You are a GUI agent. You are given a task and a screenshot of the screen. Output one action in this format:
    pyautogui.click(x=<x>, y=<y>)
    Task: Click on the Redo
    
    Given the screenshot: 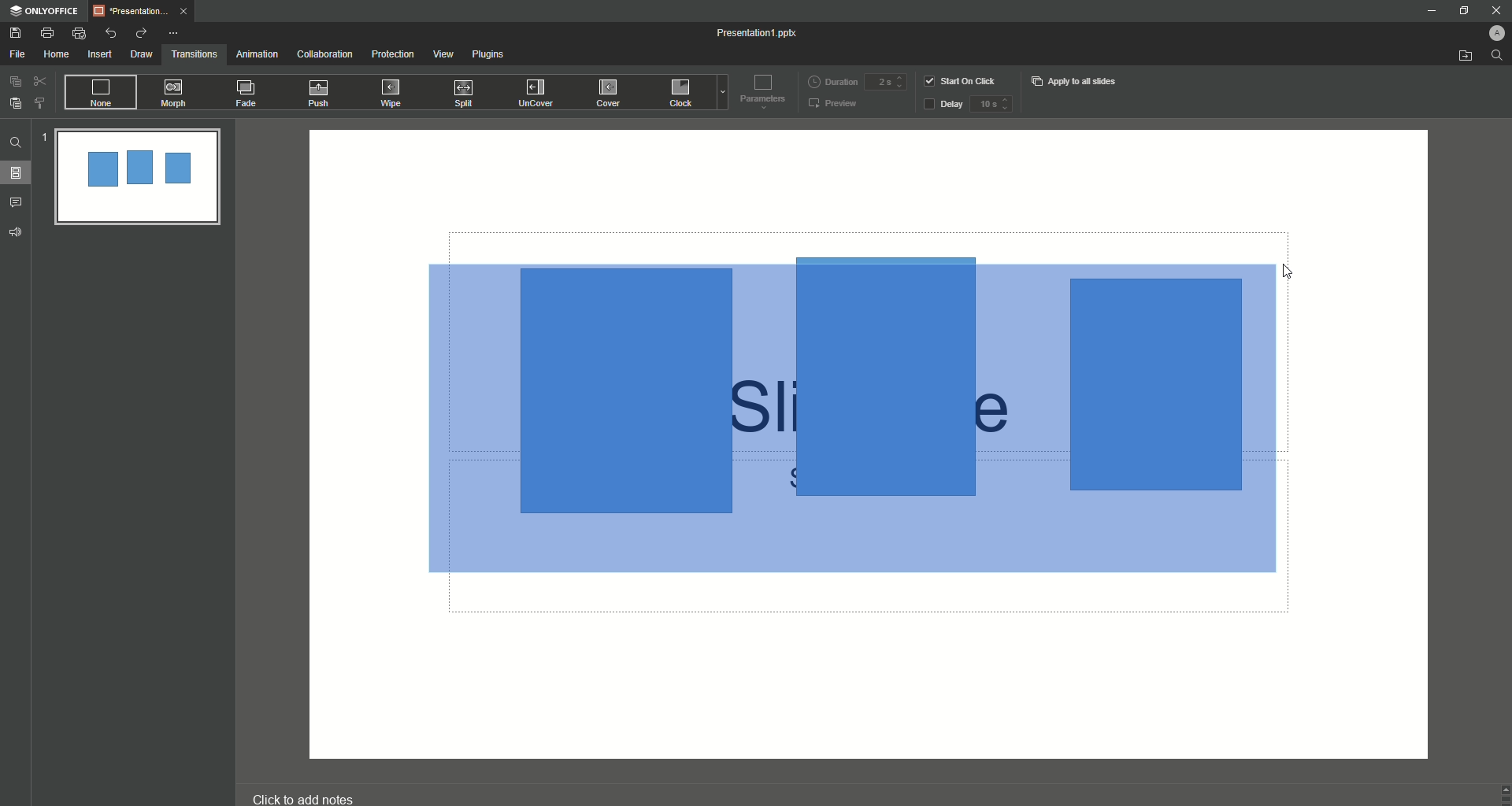 What is the action you would take?
    pyautogui.click(x=140, y=33)
    